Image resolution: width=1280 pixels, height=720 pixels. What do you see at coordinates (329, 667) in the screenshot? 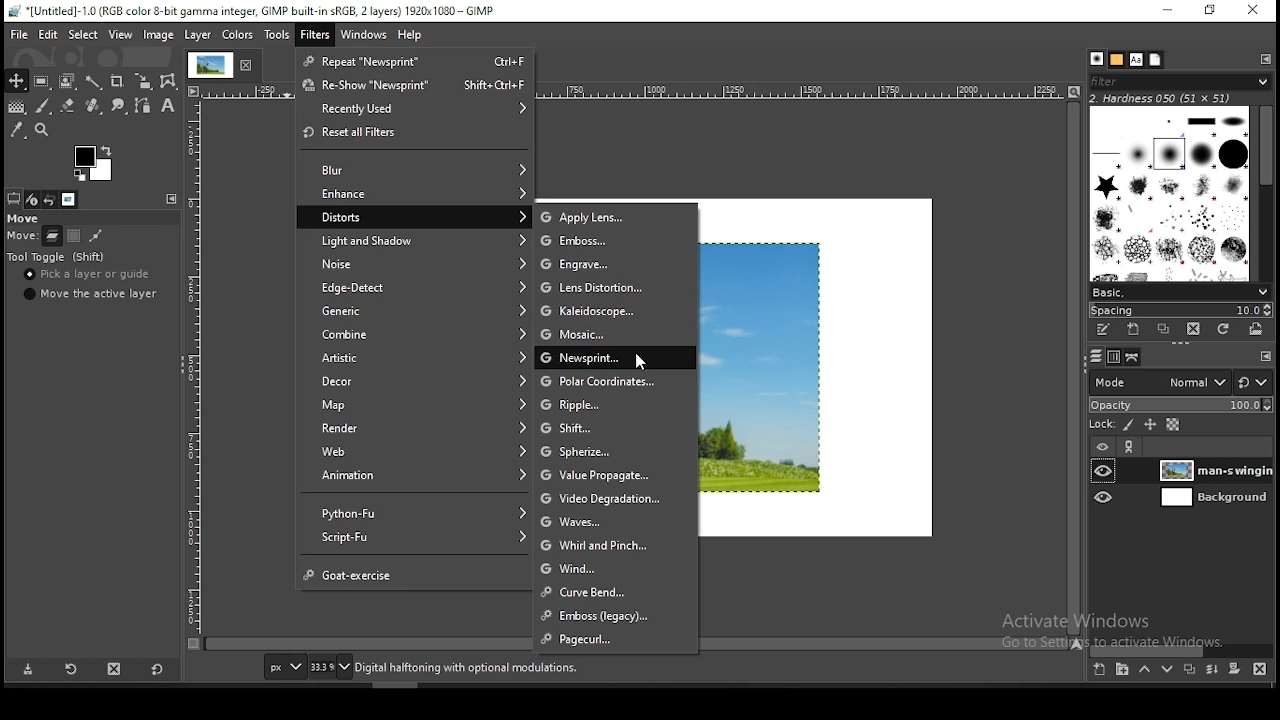
I see `zoom status` at bounding box center [329, 667].